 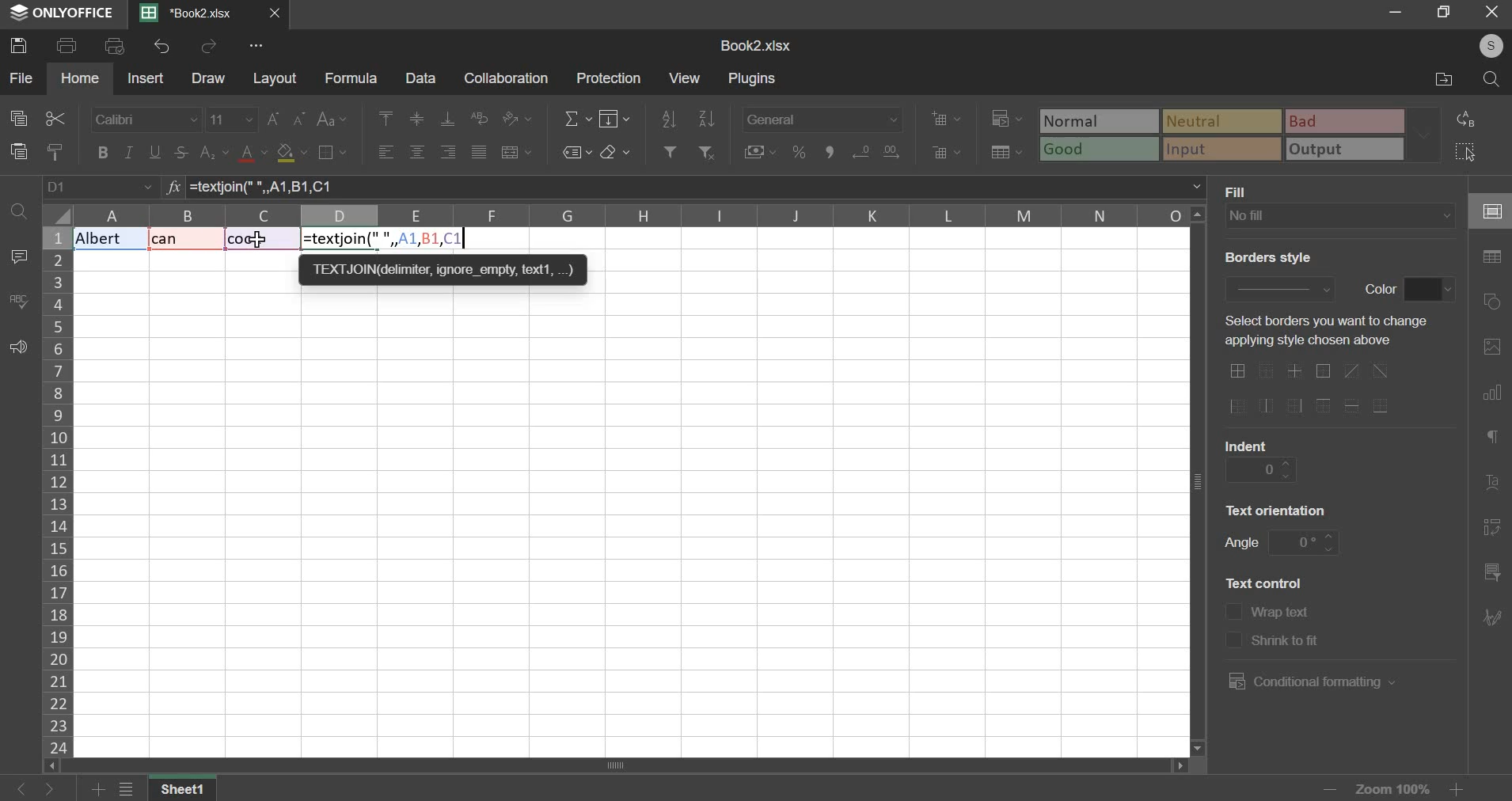 I want to click on Text, so click(x=179, y=240).